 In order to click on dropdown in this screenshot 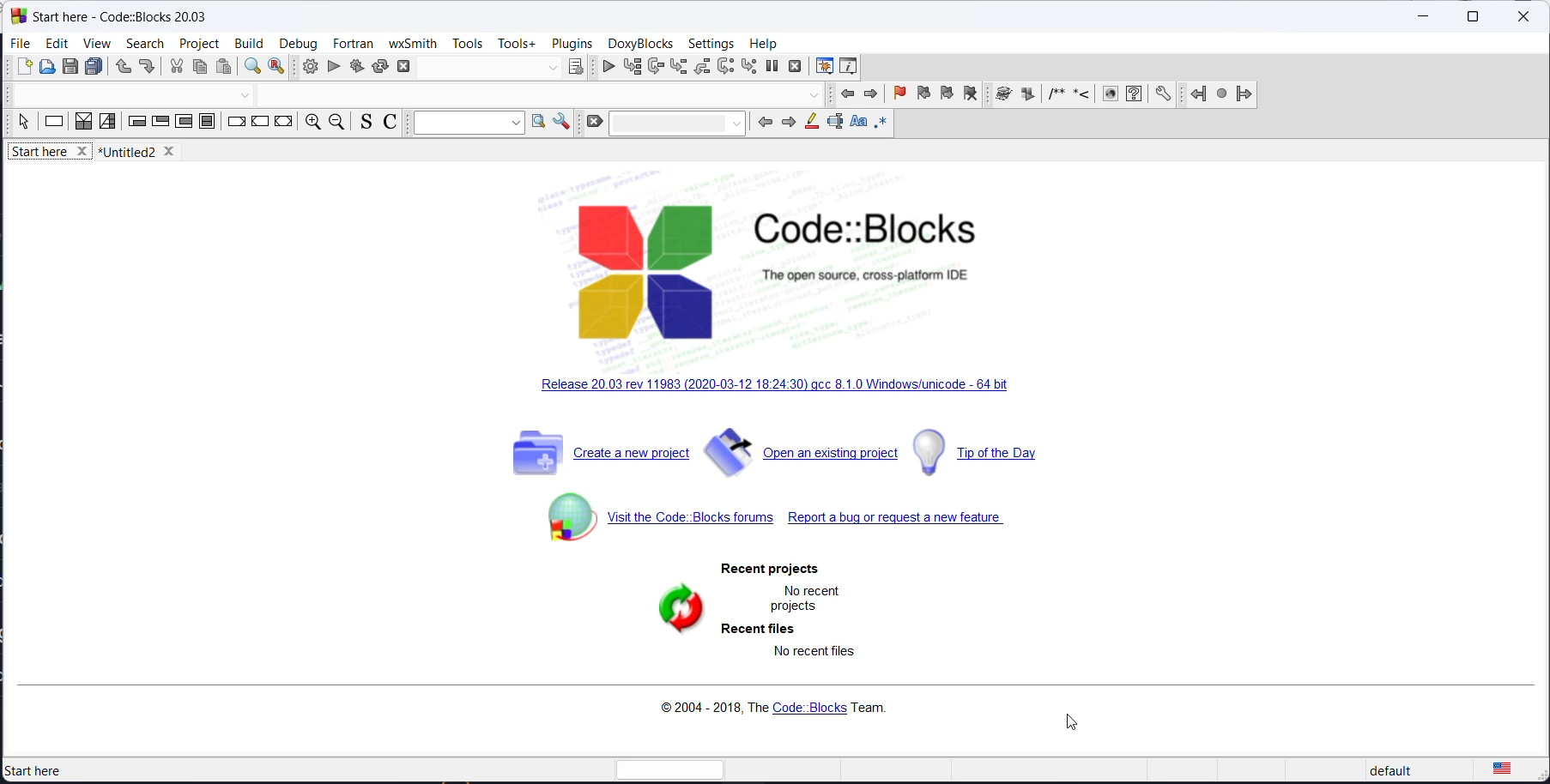, I will do `click(245, 97)`.